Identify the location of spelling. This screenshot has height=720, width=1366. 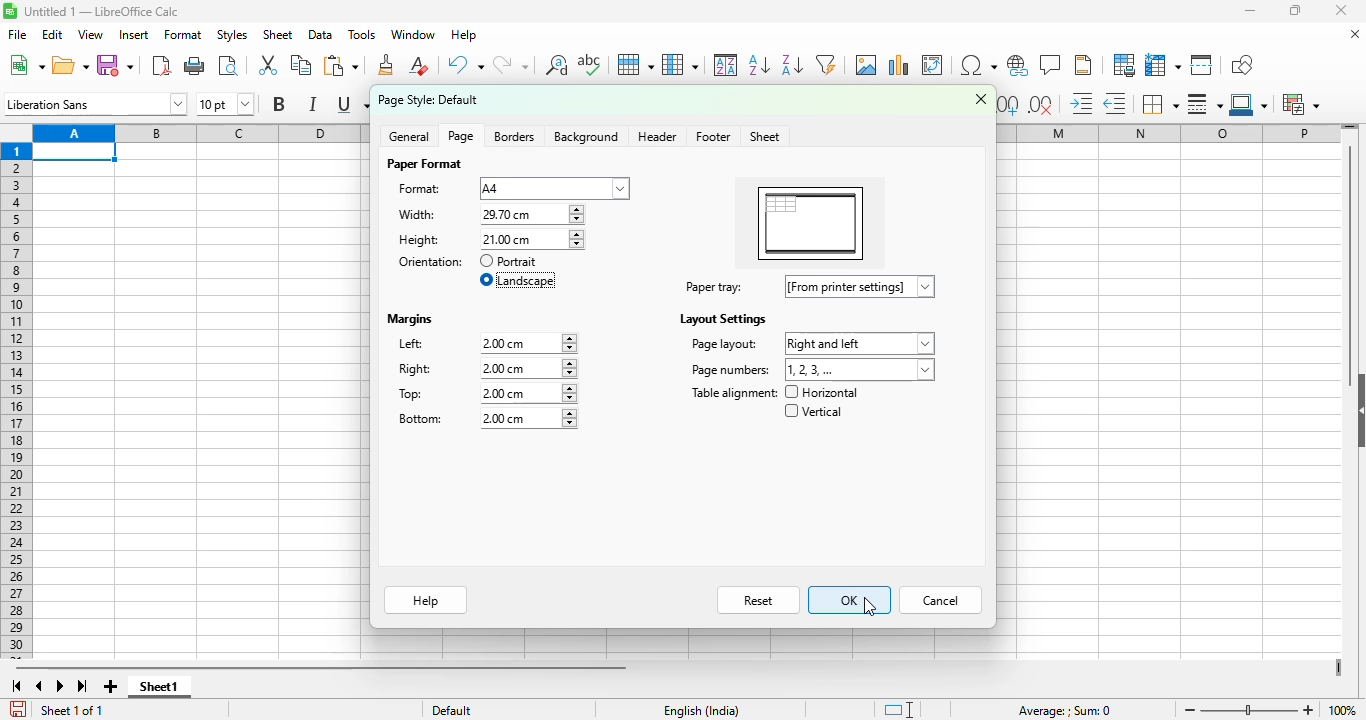
(590, 64).